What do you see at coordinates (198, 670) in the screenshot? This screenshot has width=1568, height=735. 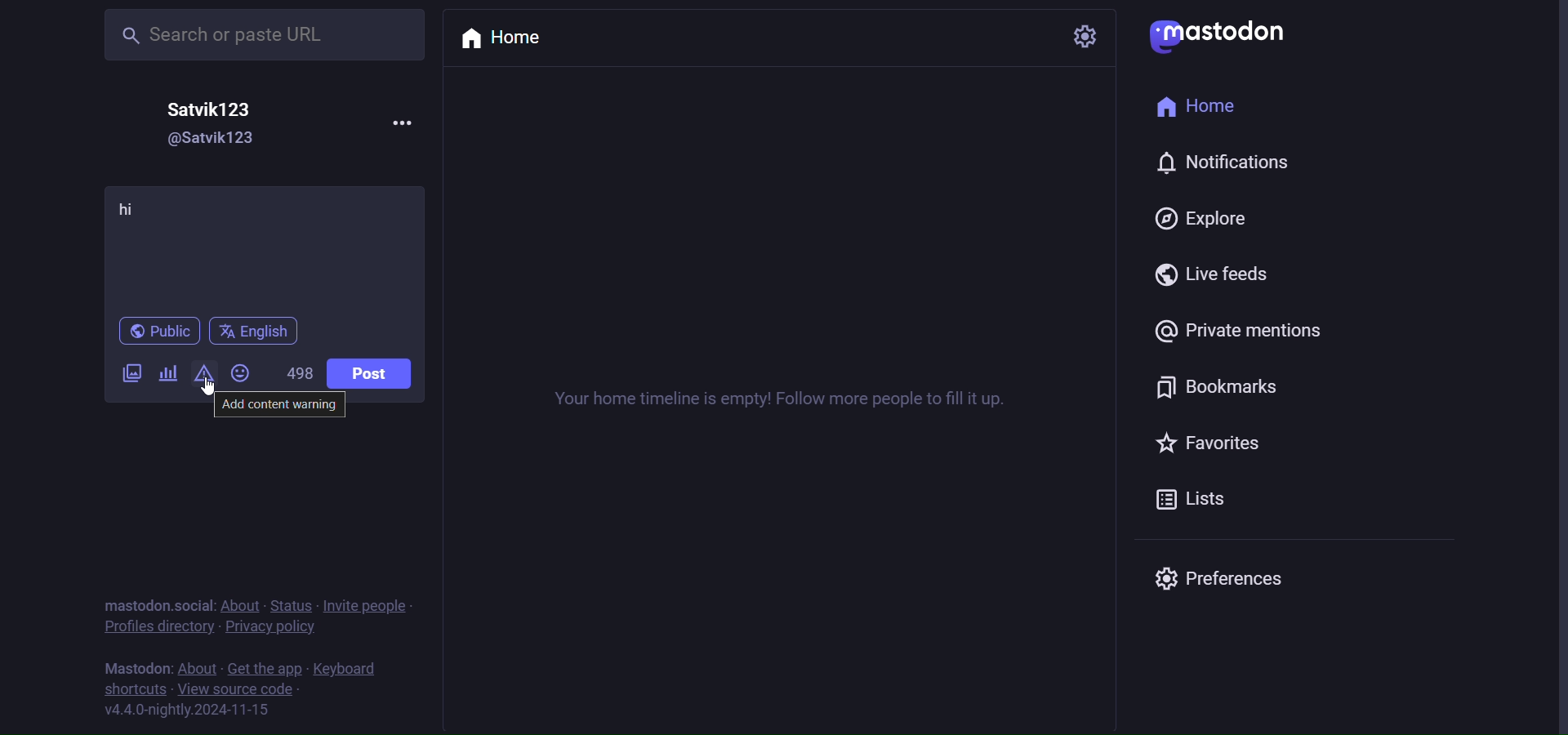 I see `about` at bounding box center [198, 670].